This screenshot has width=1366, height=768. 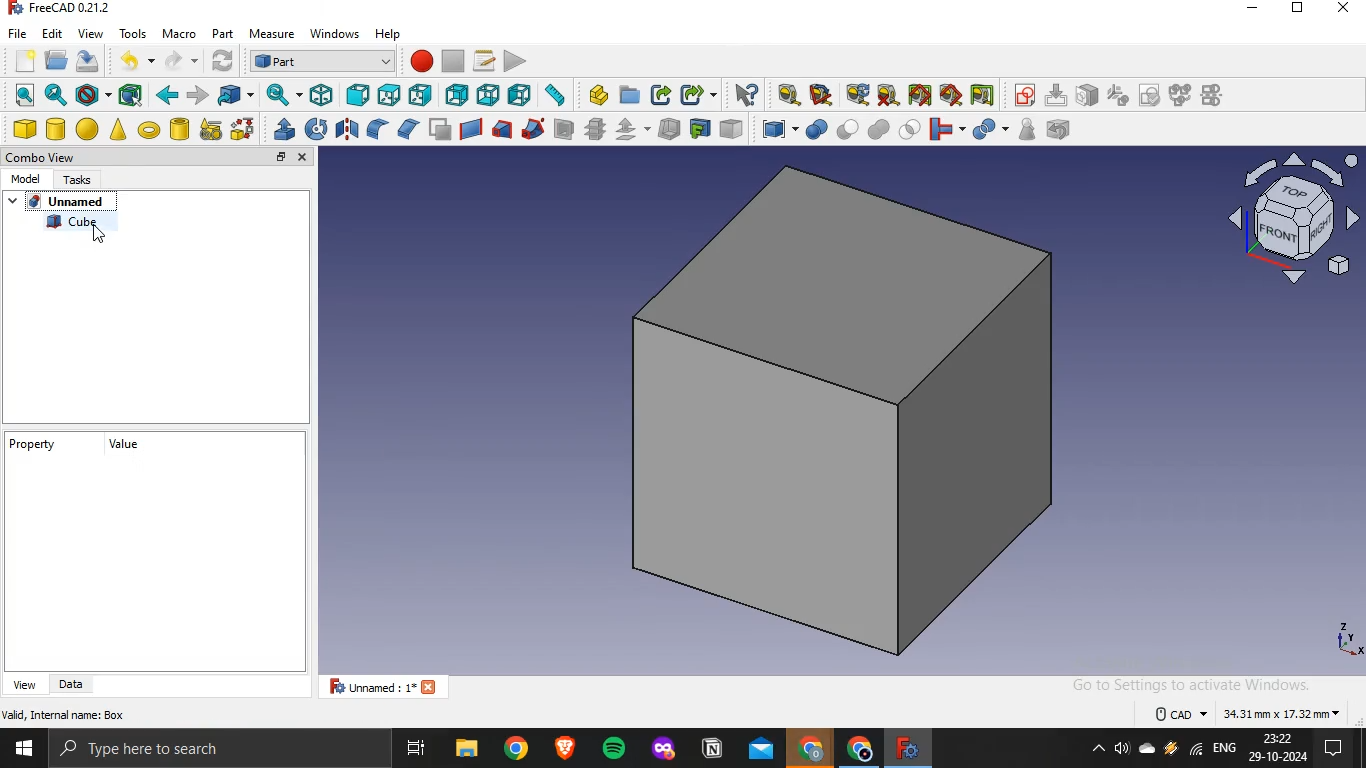 I want to click on forward, so click(x=198, y=95).